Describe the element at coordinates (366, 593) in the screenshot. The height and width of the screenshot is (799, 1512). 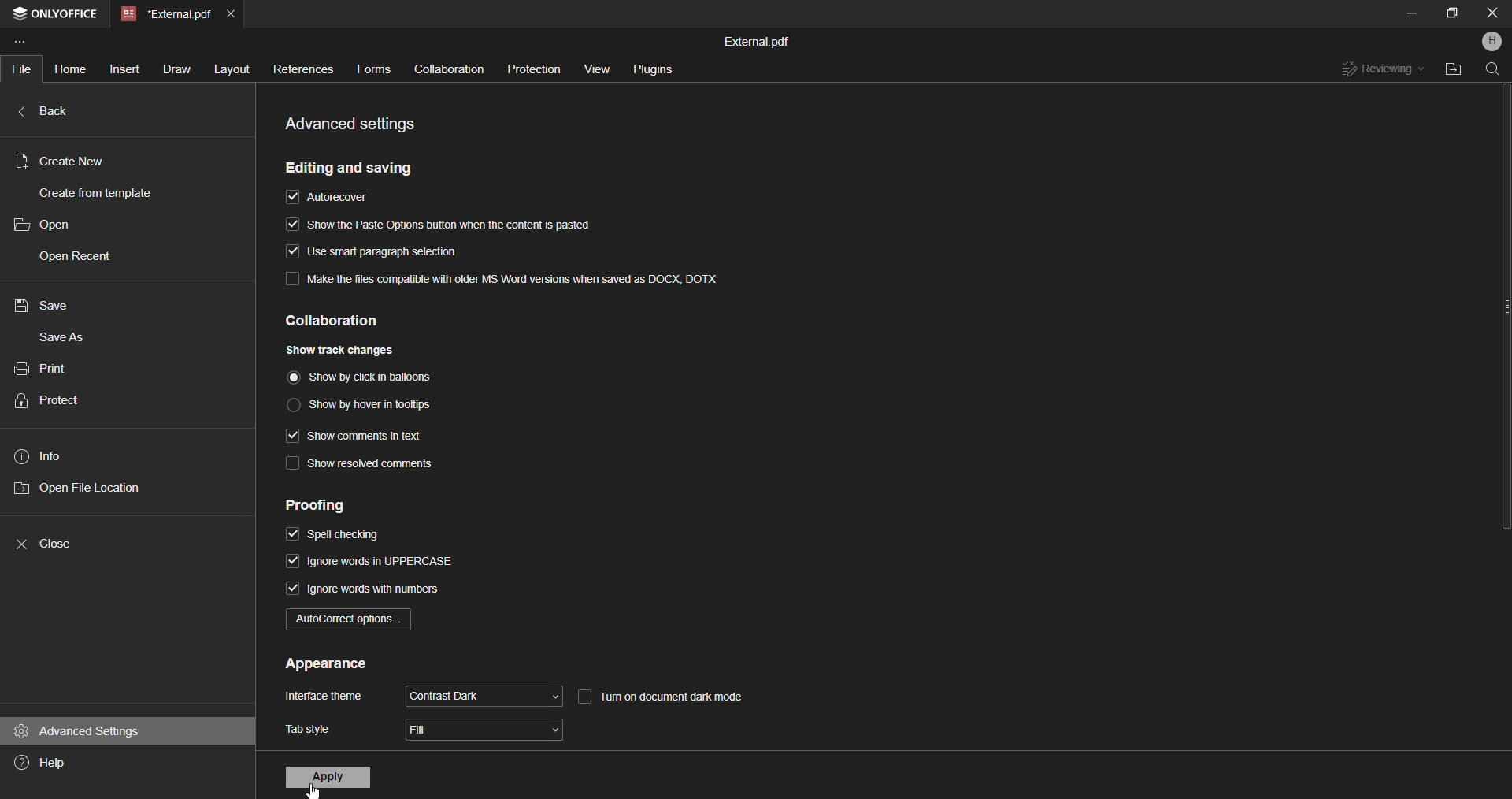
I see `ignore words with numbers` at that location.